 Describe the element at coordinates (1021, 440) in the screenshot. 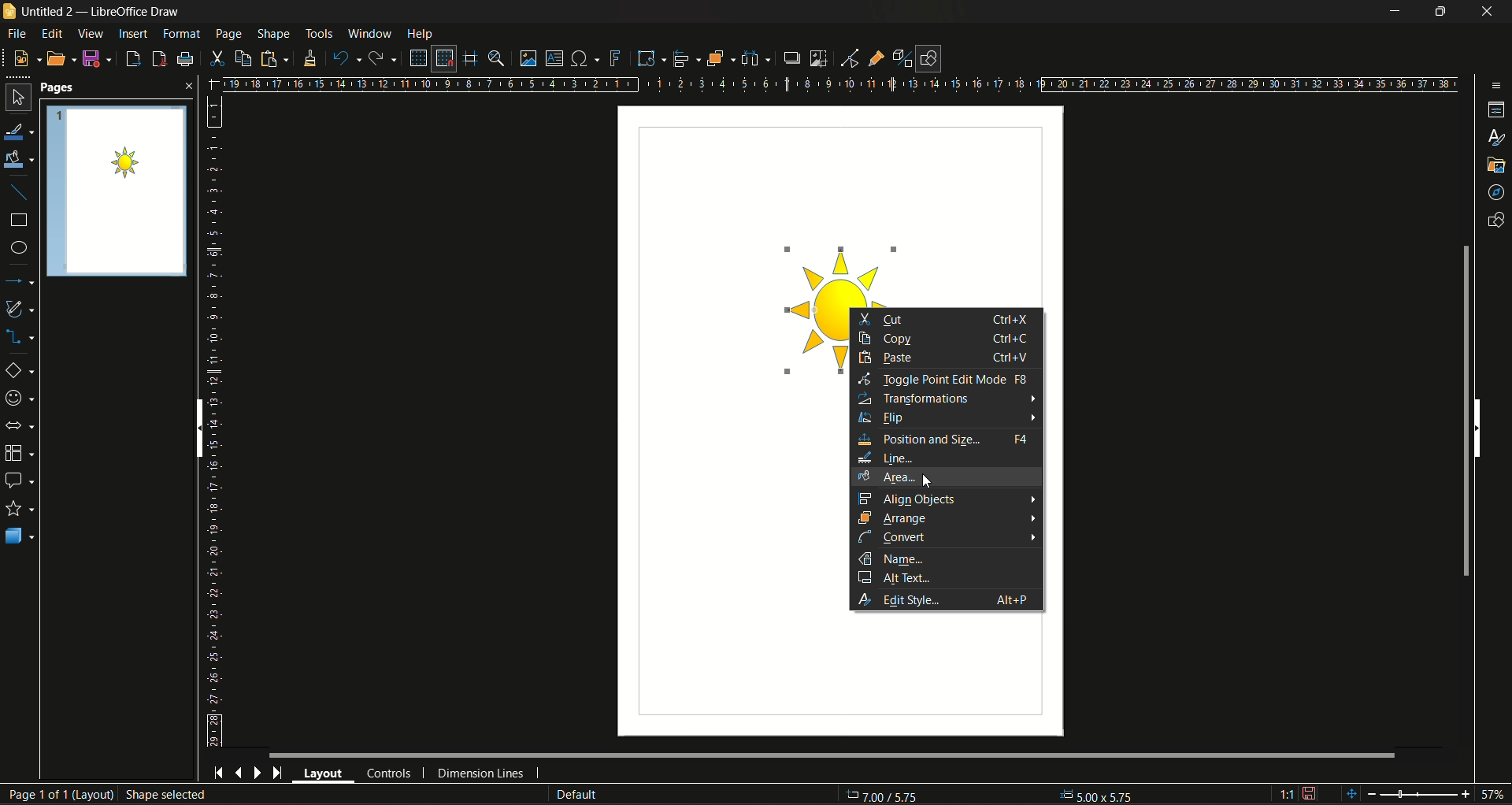

I see `F4` at that location.